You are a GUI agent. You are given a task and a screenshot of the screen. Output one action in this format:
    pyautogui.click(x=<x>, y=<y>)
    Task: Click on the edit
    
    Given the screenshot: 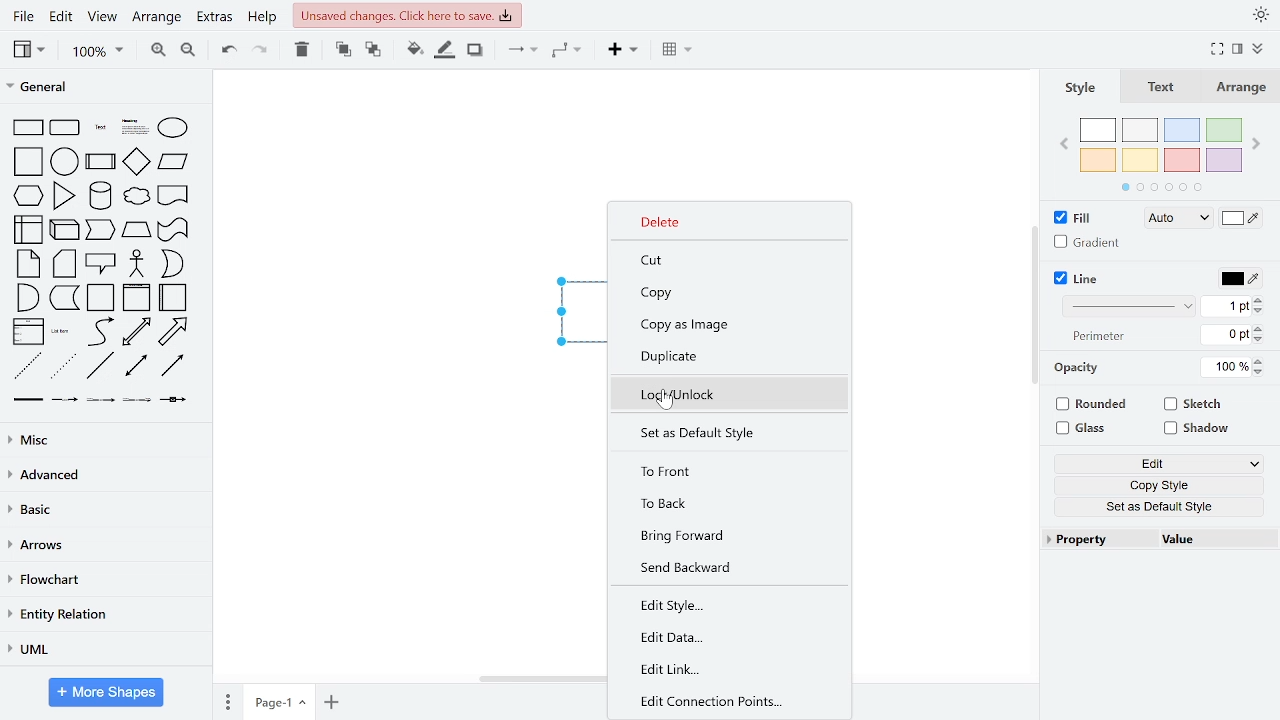 What is the action you would take?
    pyautogui.click(x=1160, y=463)
    